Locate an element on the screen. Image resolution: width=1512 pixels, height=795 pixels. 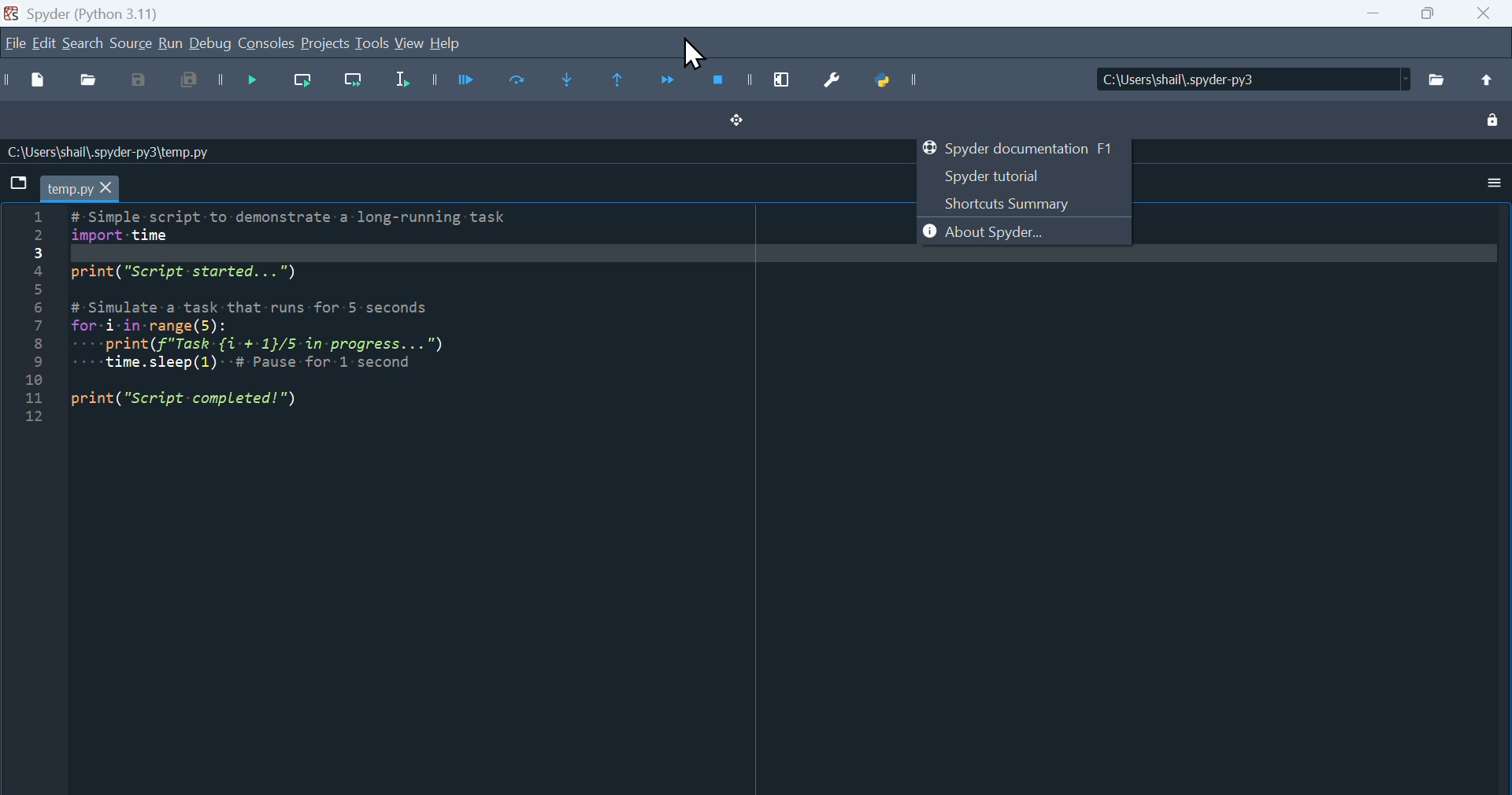
Files is located at coordinates (1438, 76).